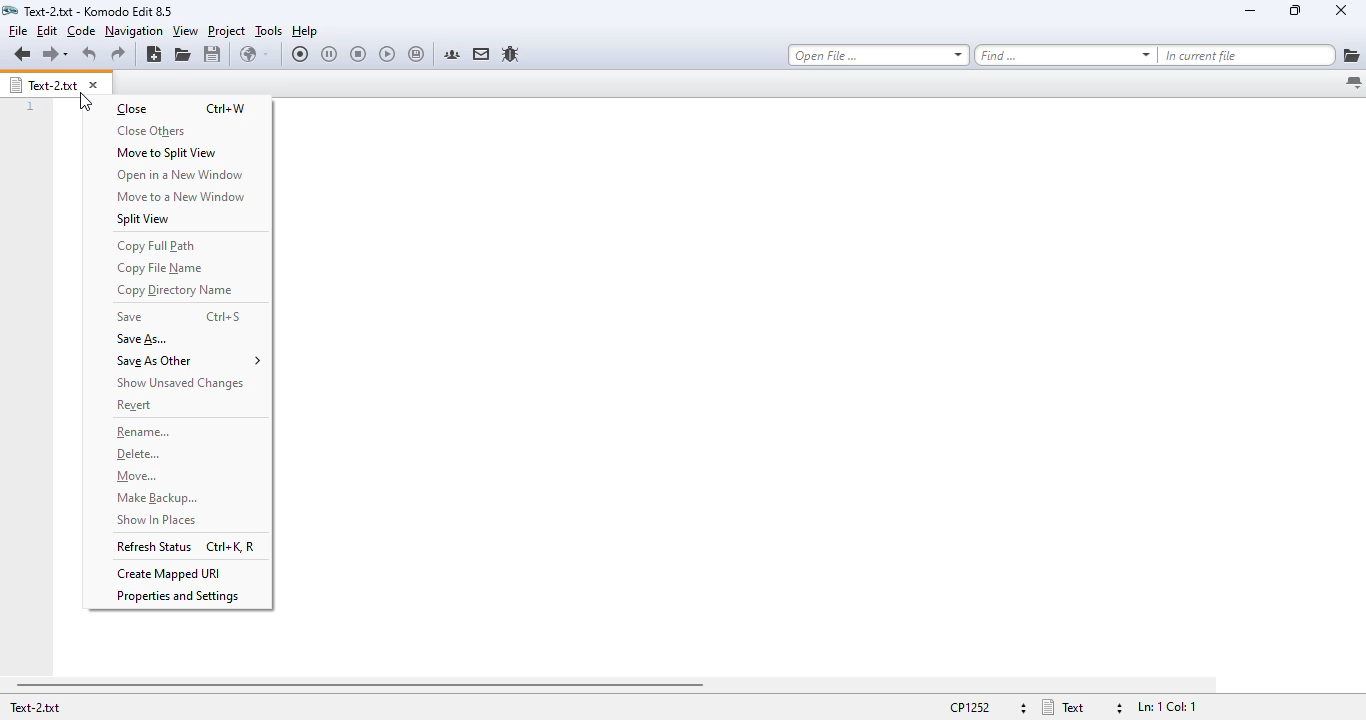  Describe the element at coordinates (213, 54) in the screenshot. I see `save file` at that location.